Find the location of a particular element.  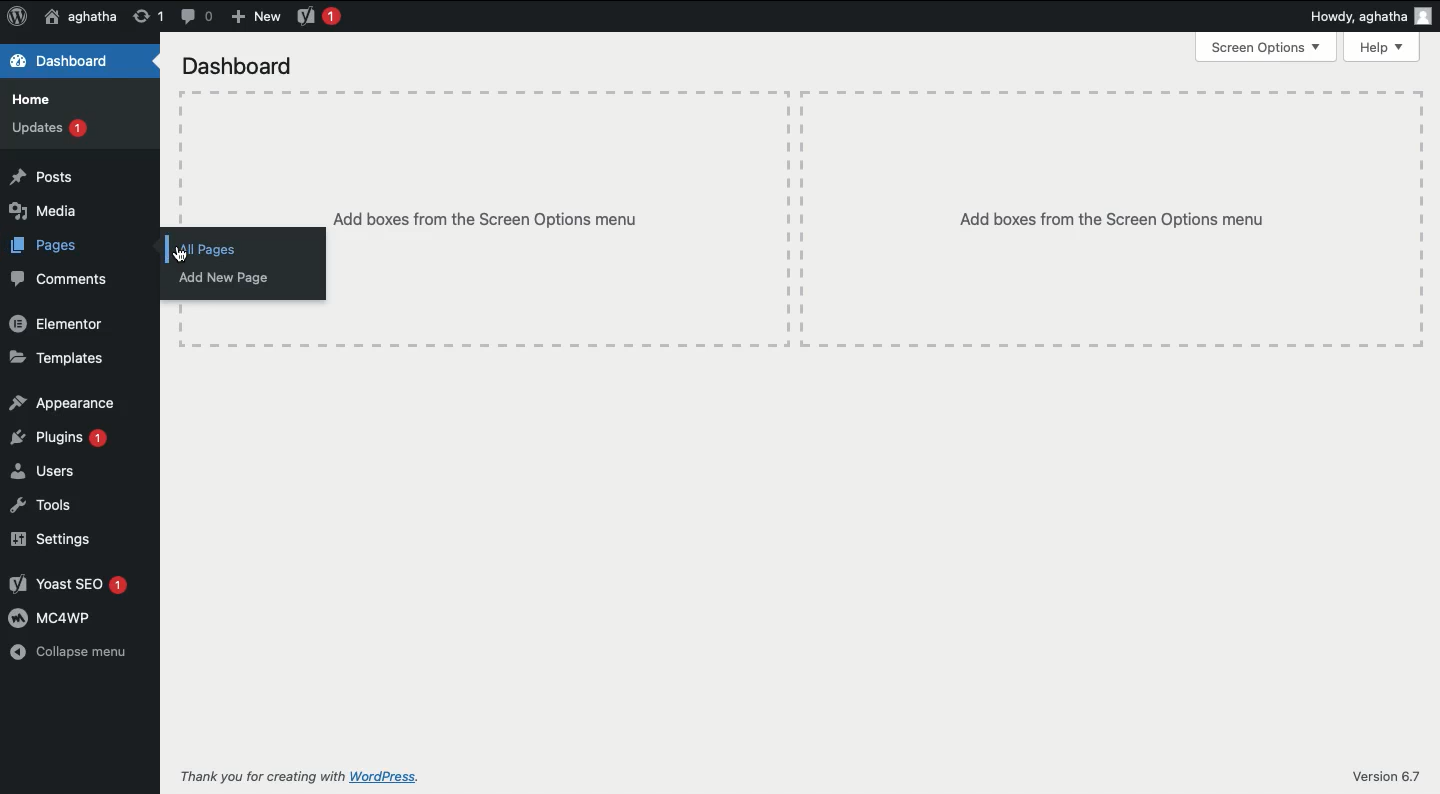

Media is located at coordinates (46, 211).